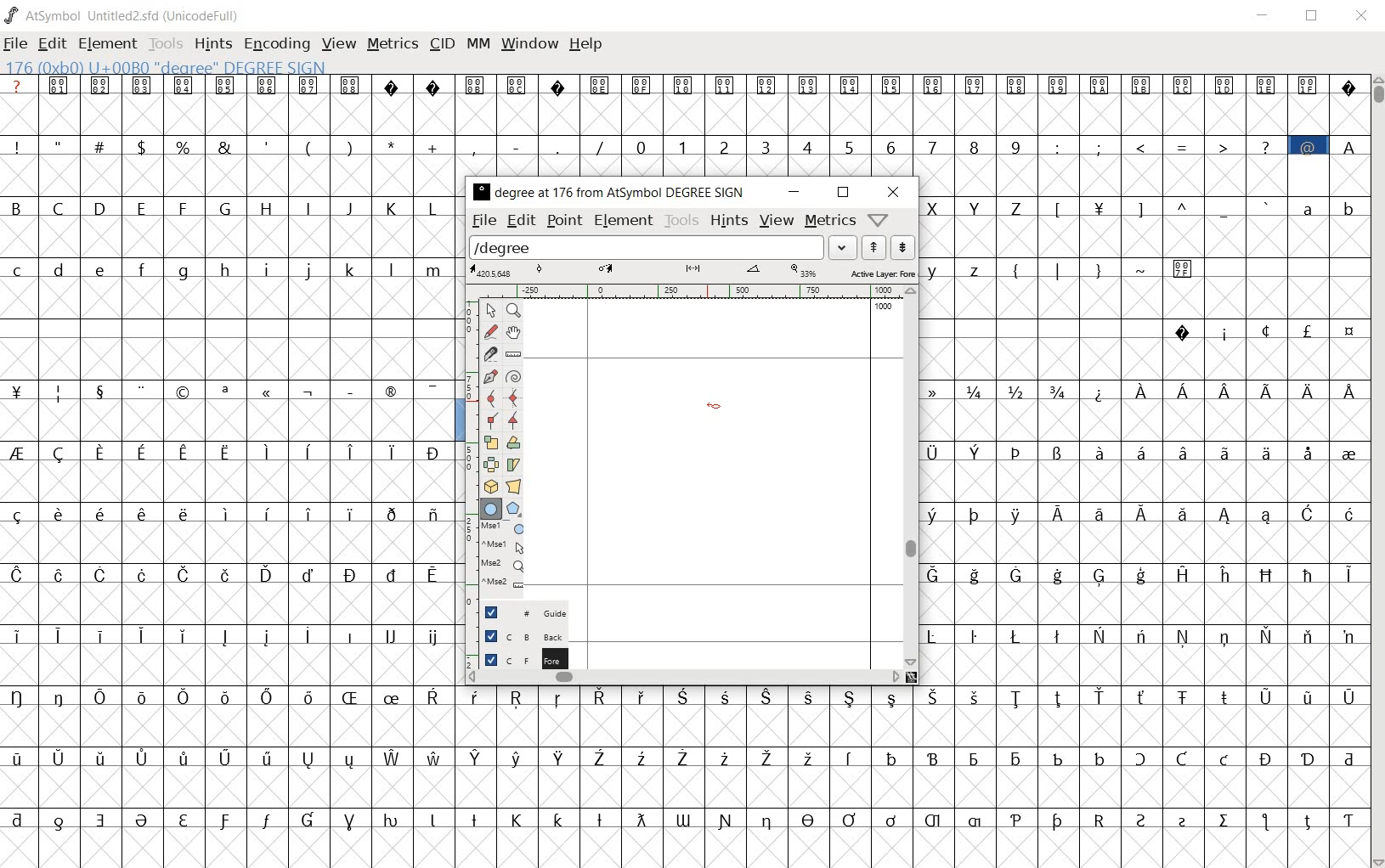 The height and width of the screenshot is (868, 1385). What do you see at coordinates (829, 222) in the screenshot?
I see `metrics` at bounding box center [829, 222].